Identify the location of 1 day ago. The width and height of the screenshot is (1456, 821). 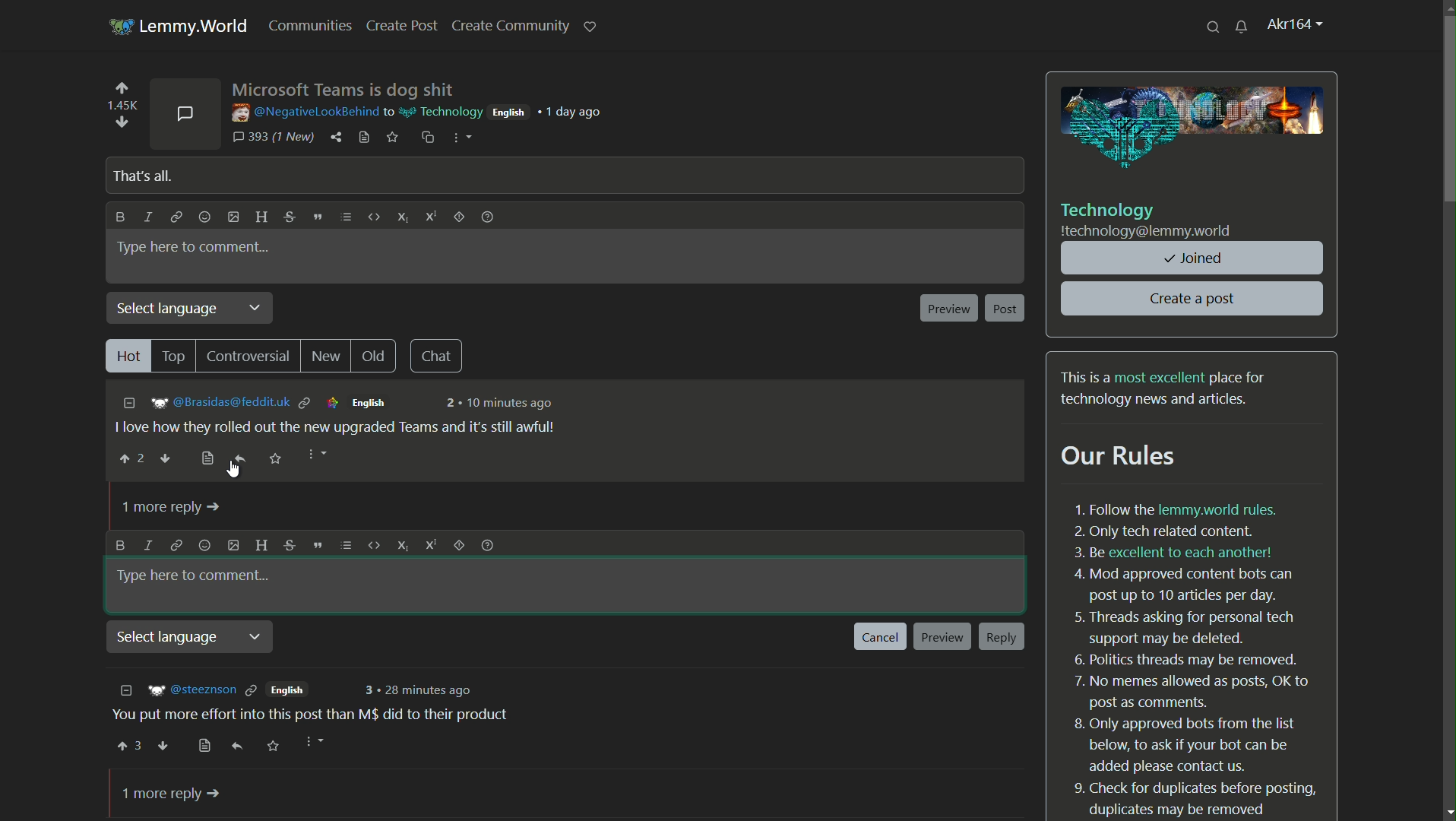
(575, 112).